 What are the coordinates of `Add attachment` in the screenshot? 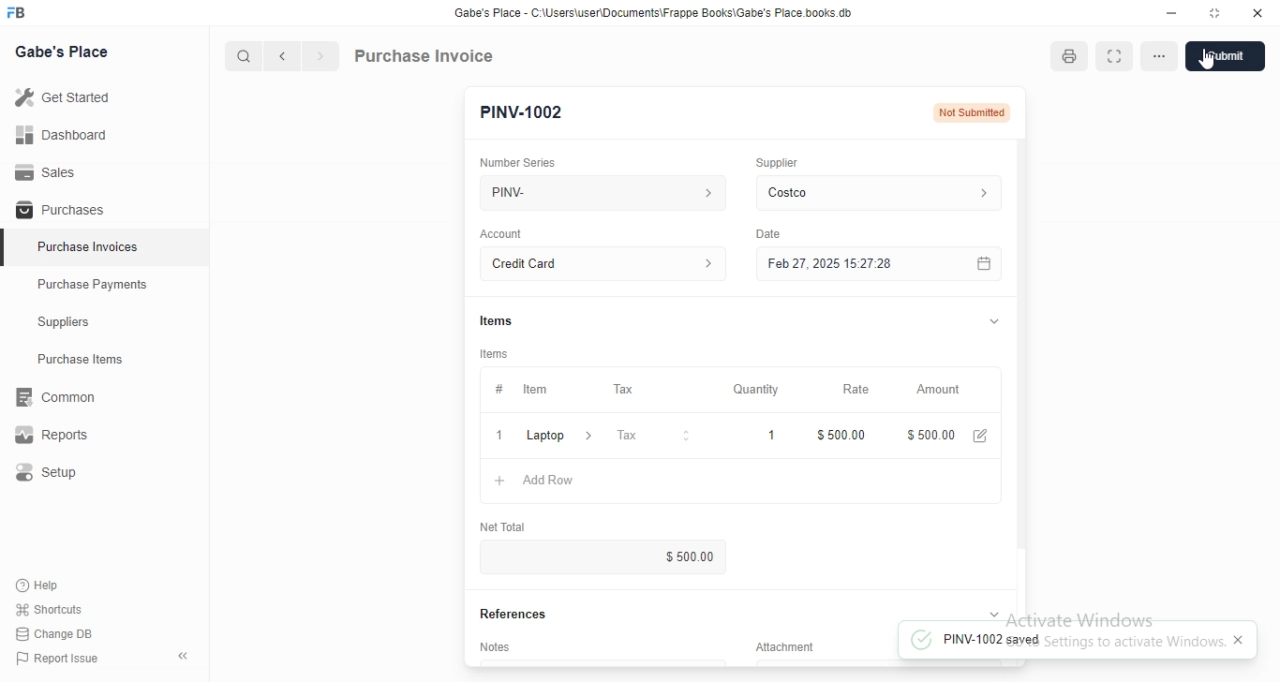 It's located at (879, 662).